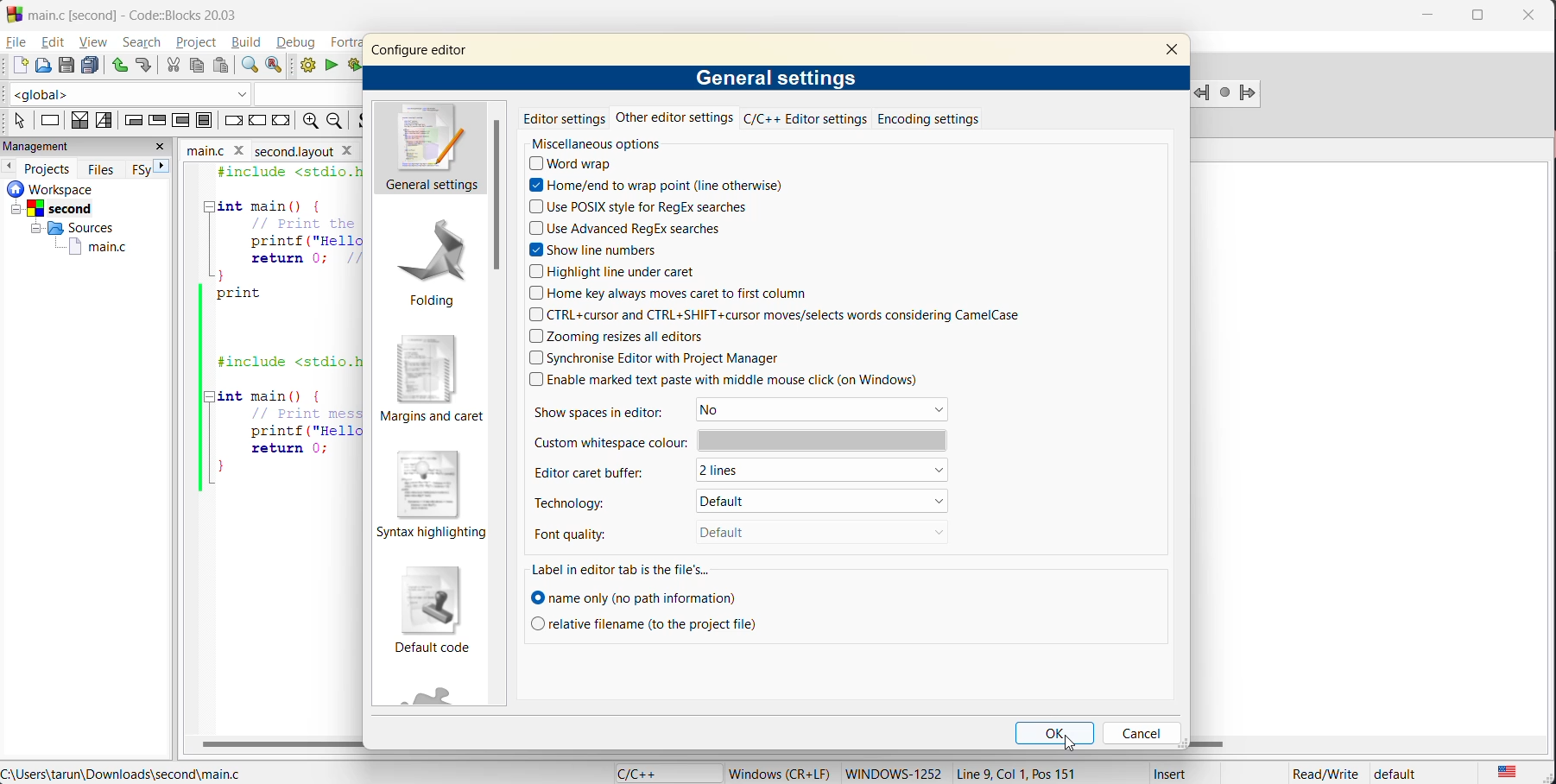 This screenshot has height=784, width=1556. What do you see at coordinates (1506, 771) in the screenshot?
I see `text language` at bounding box center [1506, 771].